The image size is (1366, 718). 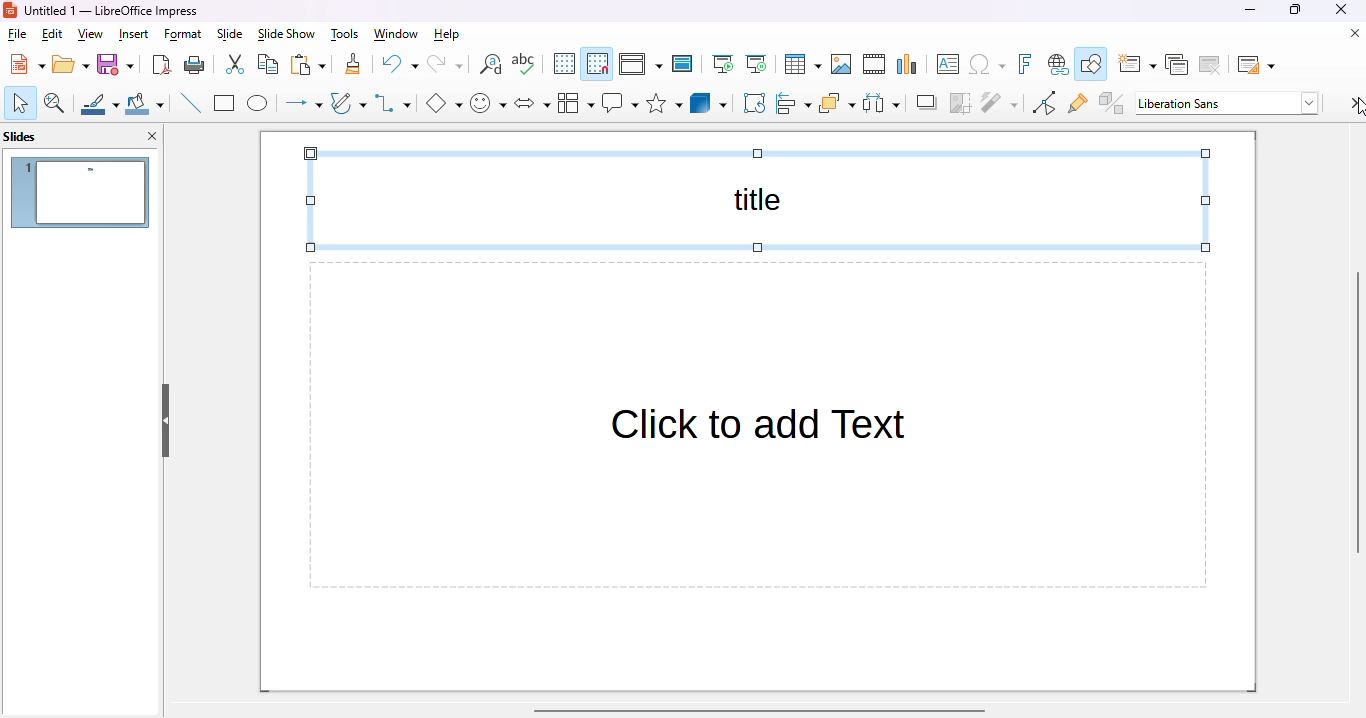 What do you see at coordinates (664, 102) in the screenshot?
I see `stars and banners` at bounding box center [664, 102].